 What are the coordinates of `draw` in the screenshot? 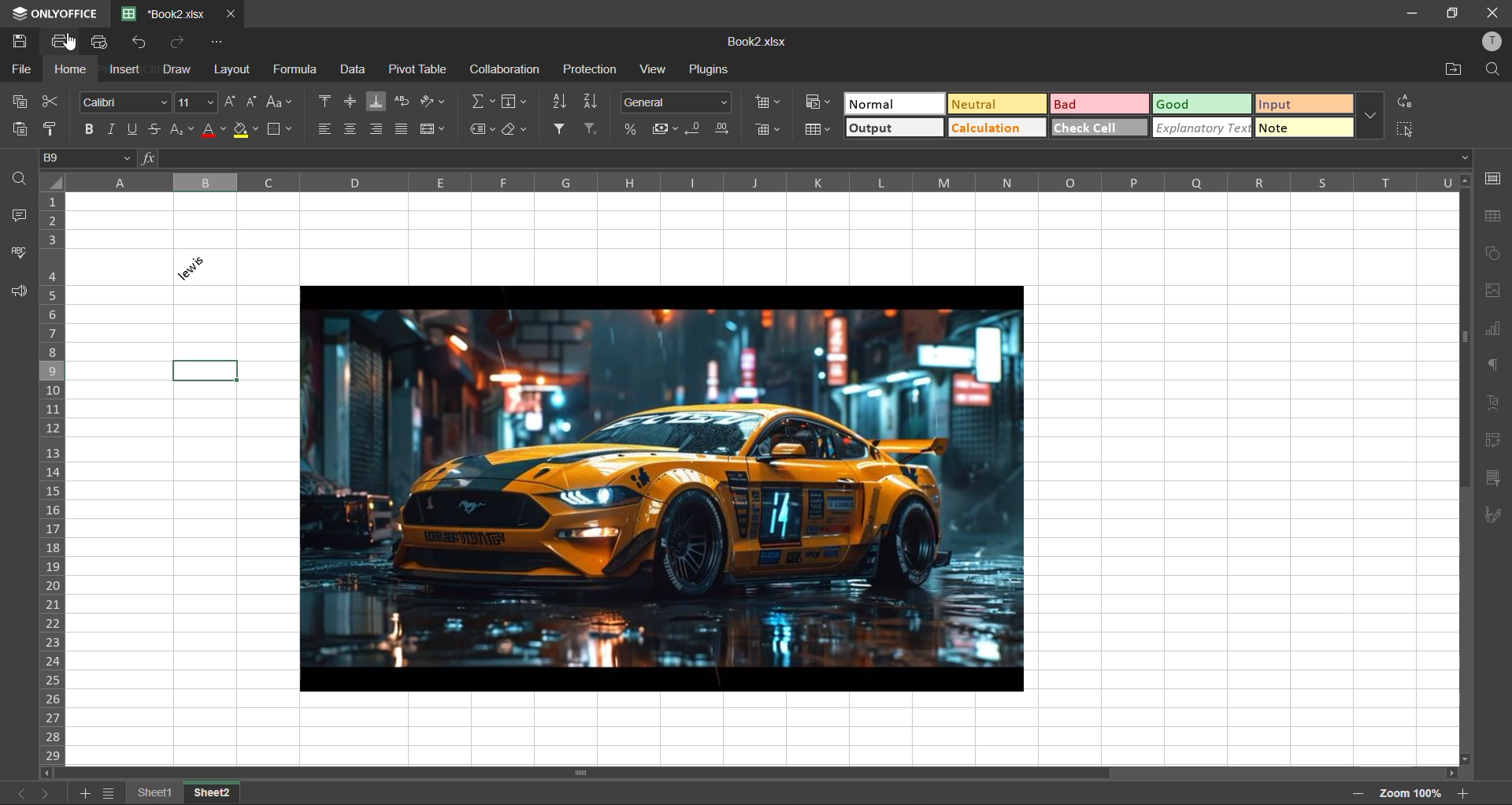 It's located at (177, 71).